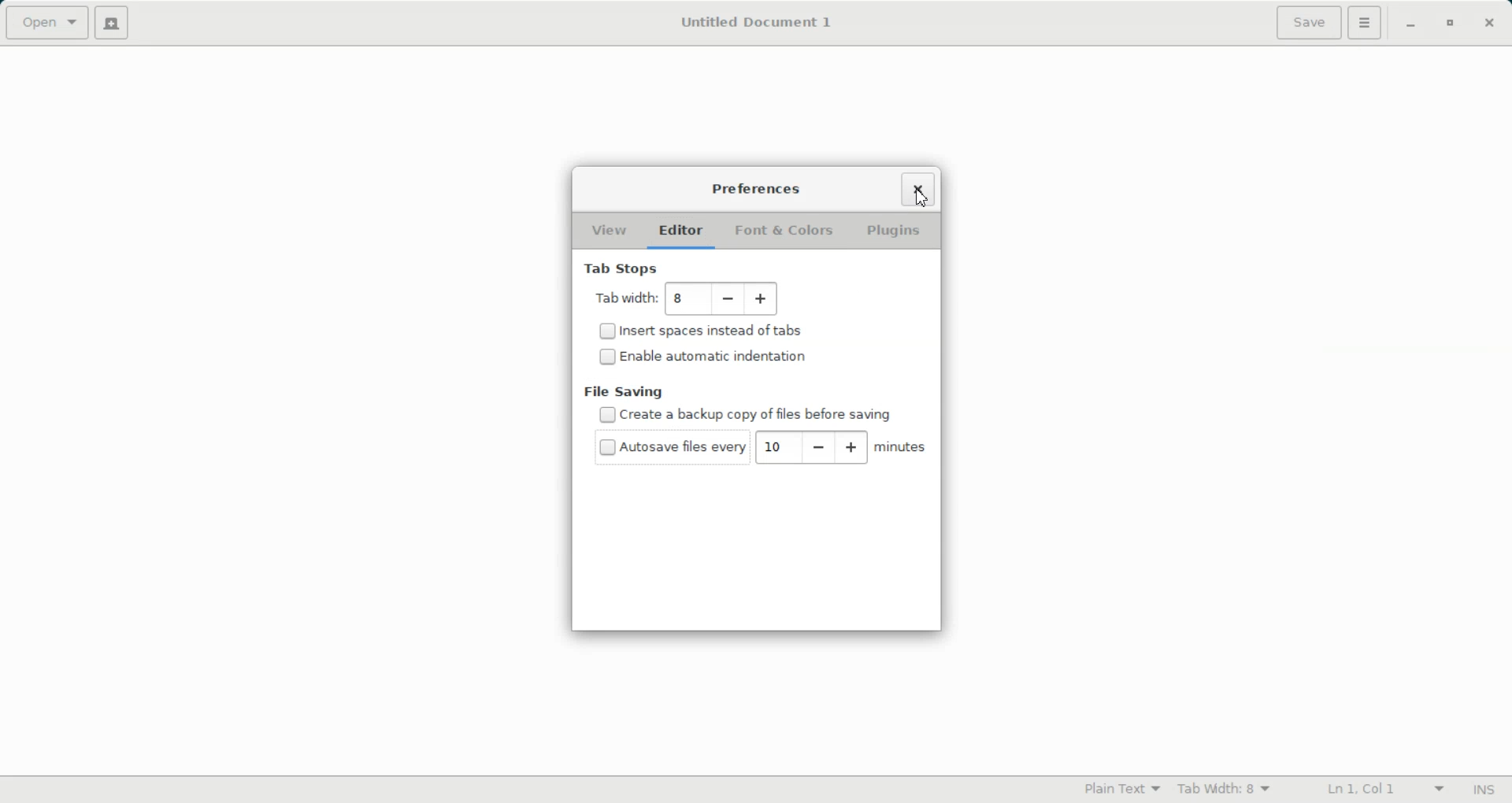 This screenshot has height=803, width=1512. What do you see at coordinates (917, 191) in the screenshot?
I see `Close` at bounding box center [917, 191].